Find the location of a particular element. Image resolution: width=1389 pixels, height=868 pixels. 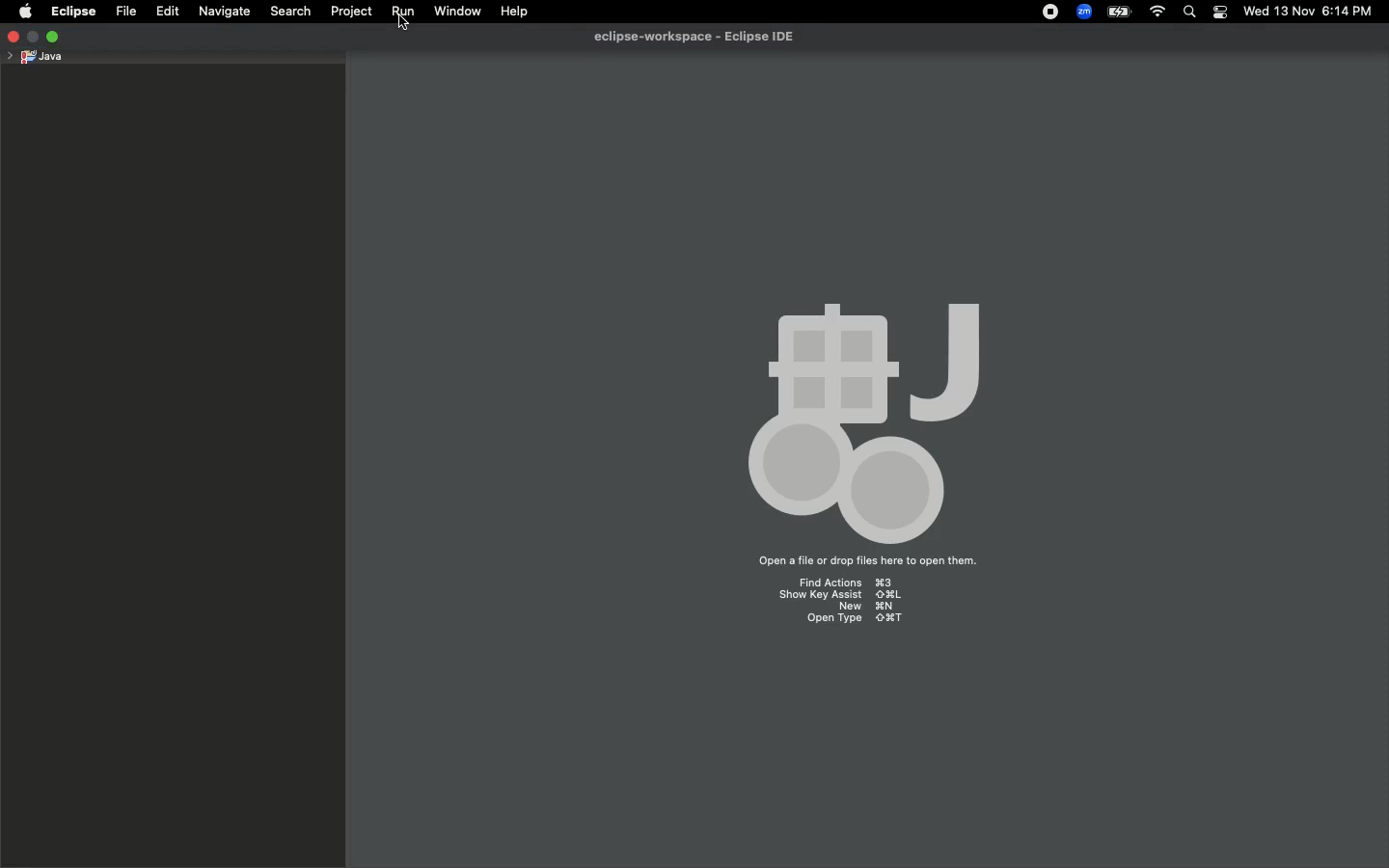

cursor is located at coordinates (402, 25).